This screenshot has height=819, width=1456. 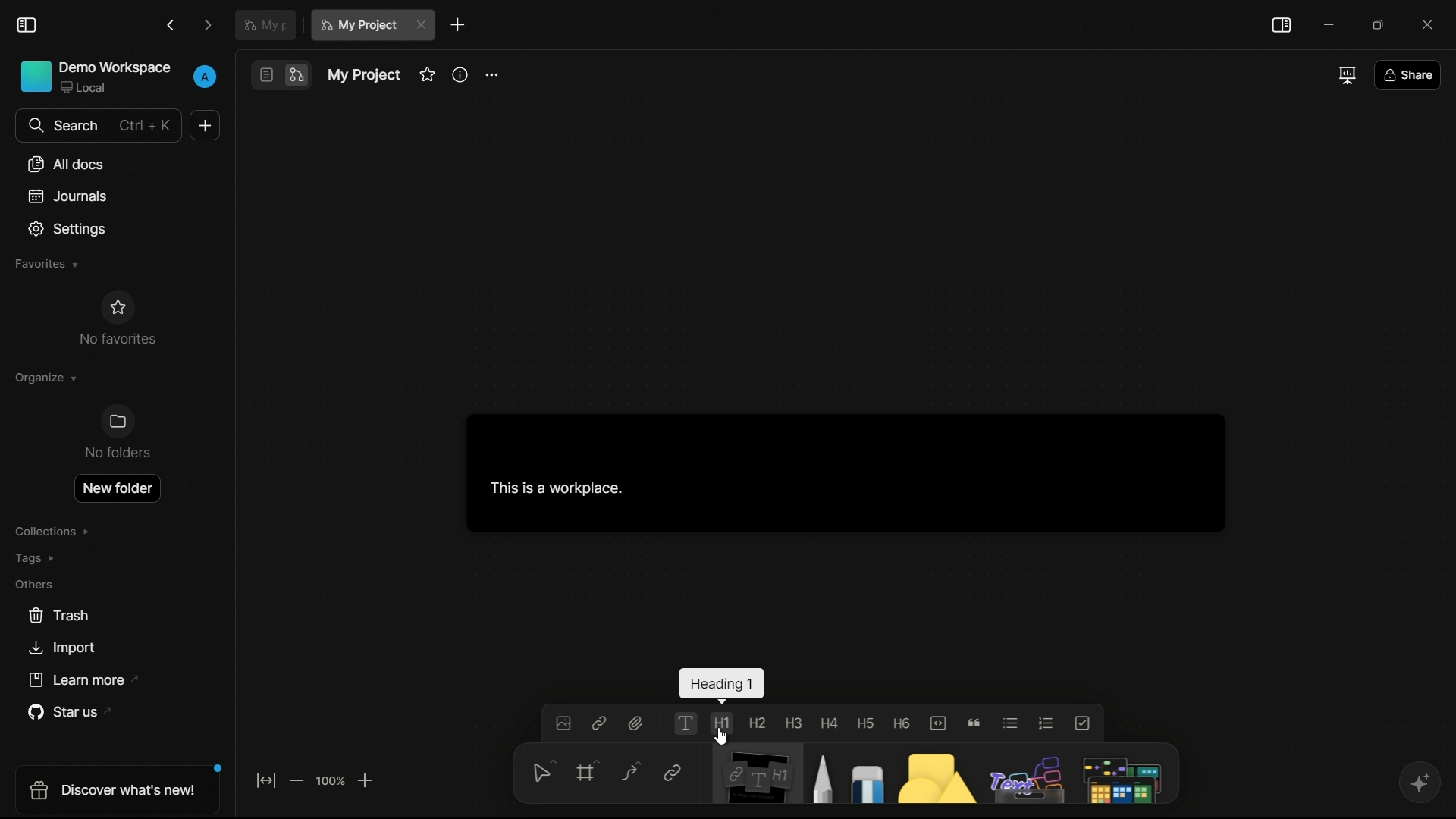 I want to click on settings, so click(x=66, y=230).